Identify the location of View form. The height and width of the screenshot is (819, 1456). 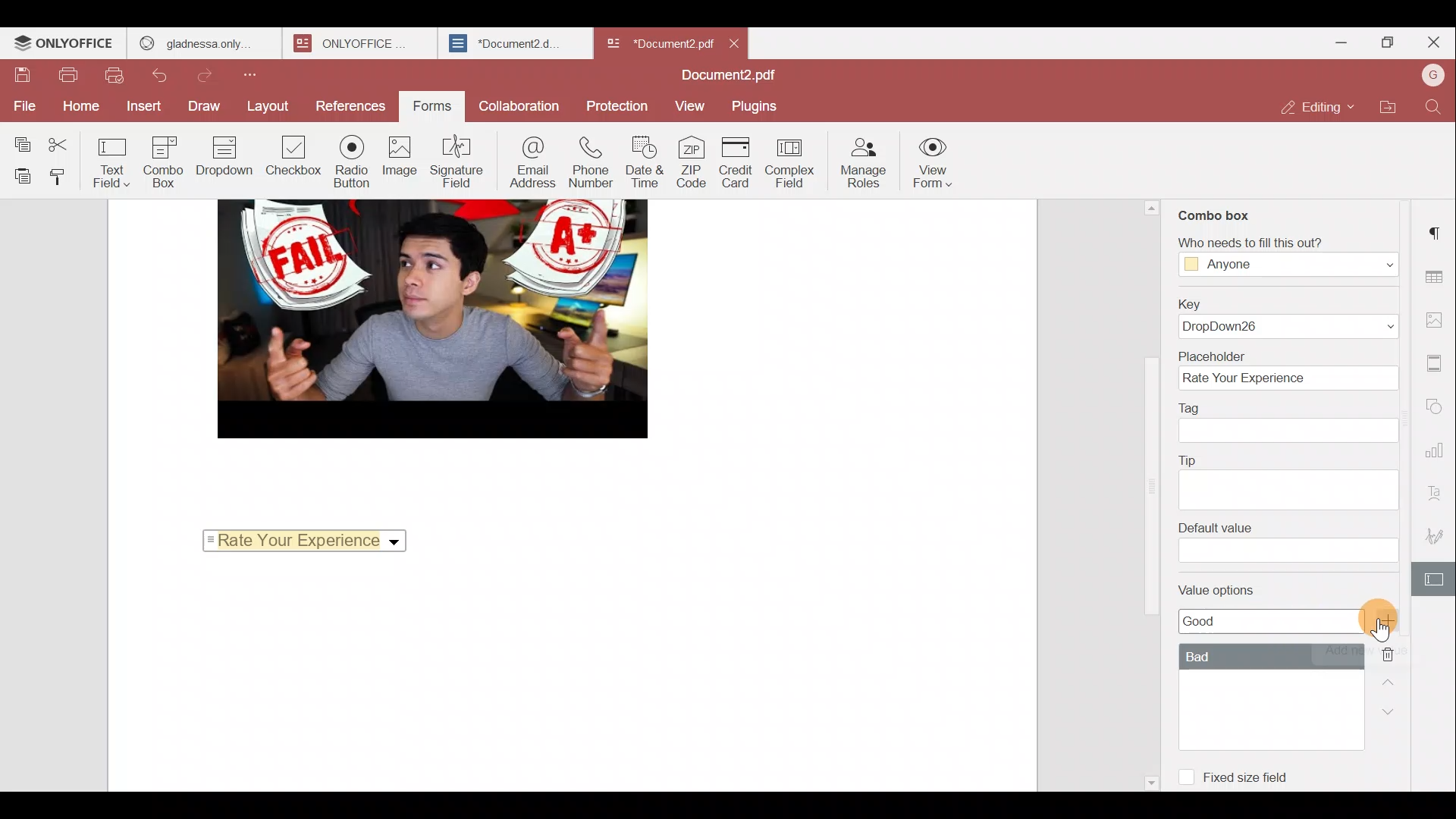
(934, 159).